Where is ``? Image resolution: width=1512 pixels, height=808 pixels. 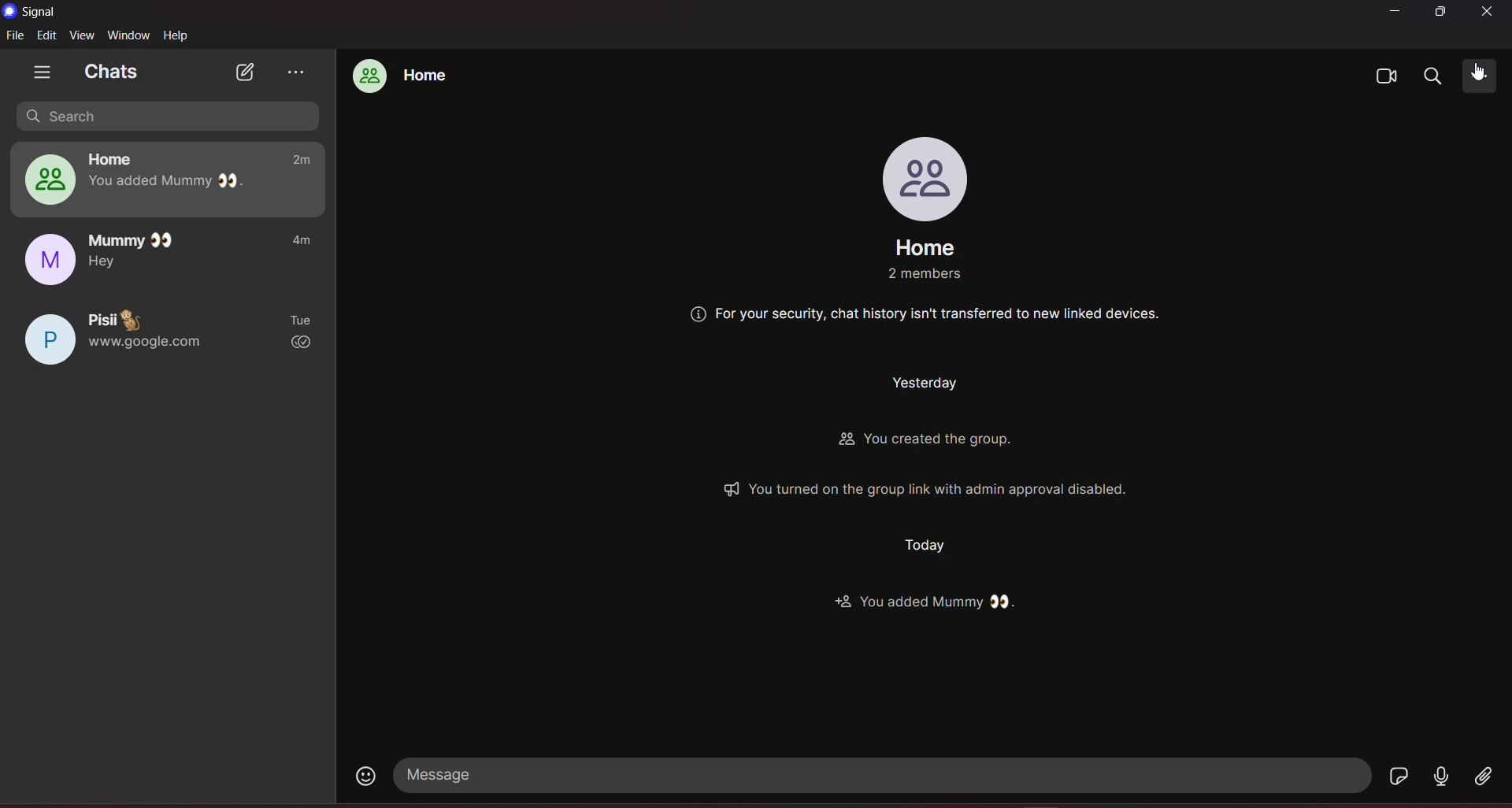  is located at coordinates (928, 276).